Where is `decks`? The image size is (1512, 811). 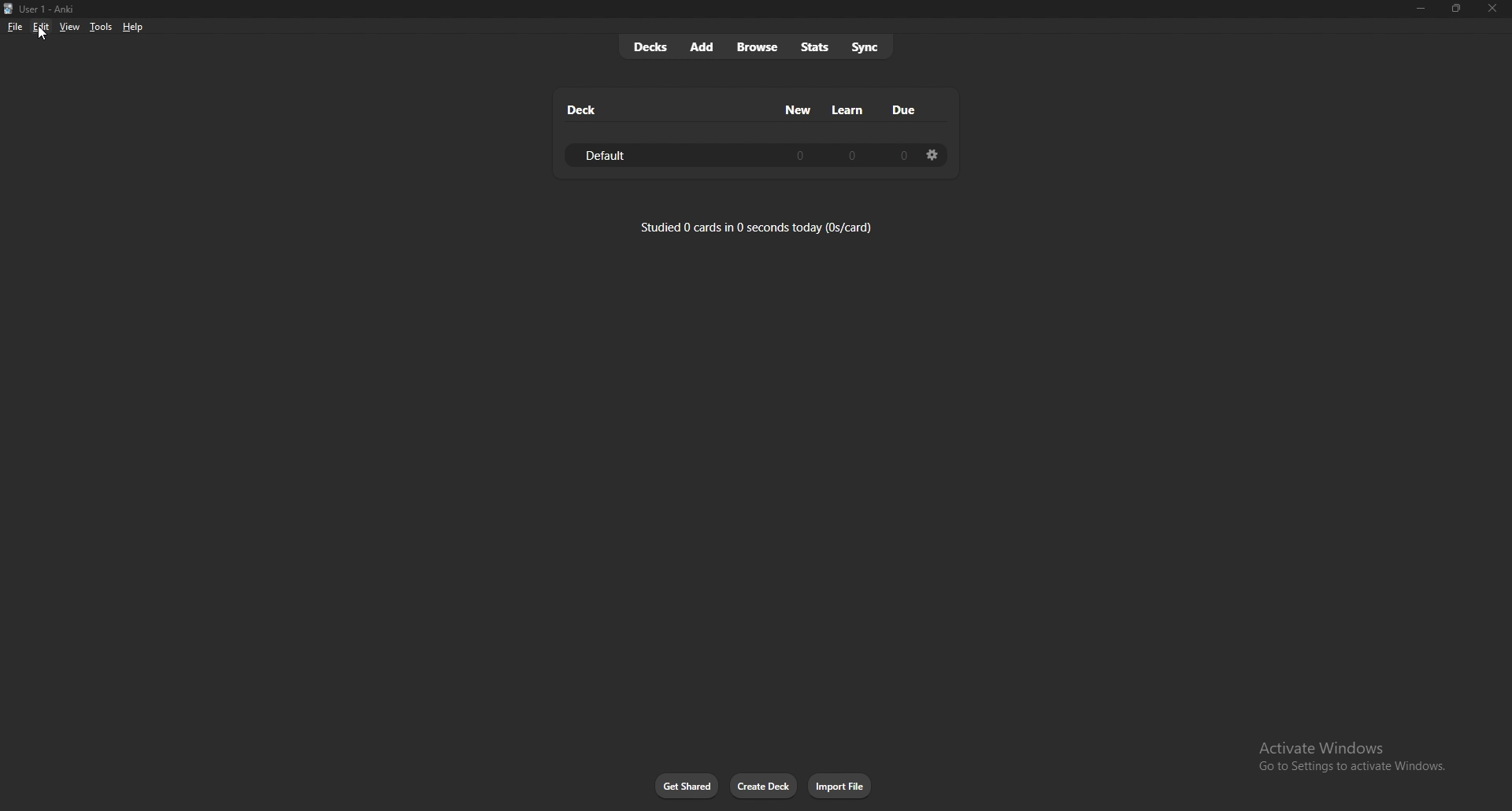 decks is located at coordinates (651, 46).